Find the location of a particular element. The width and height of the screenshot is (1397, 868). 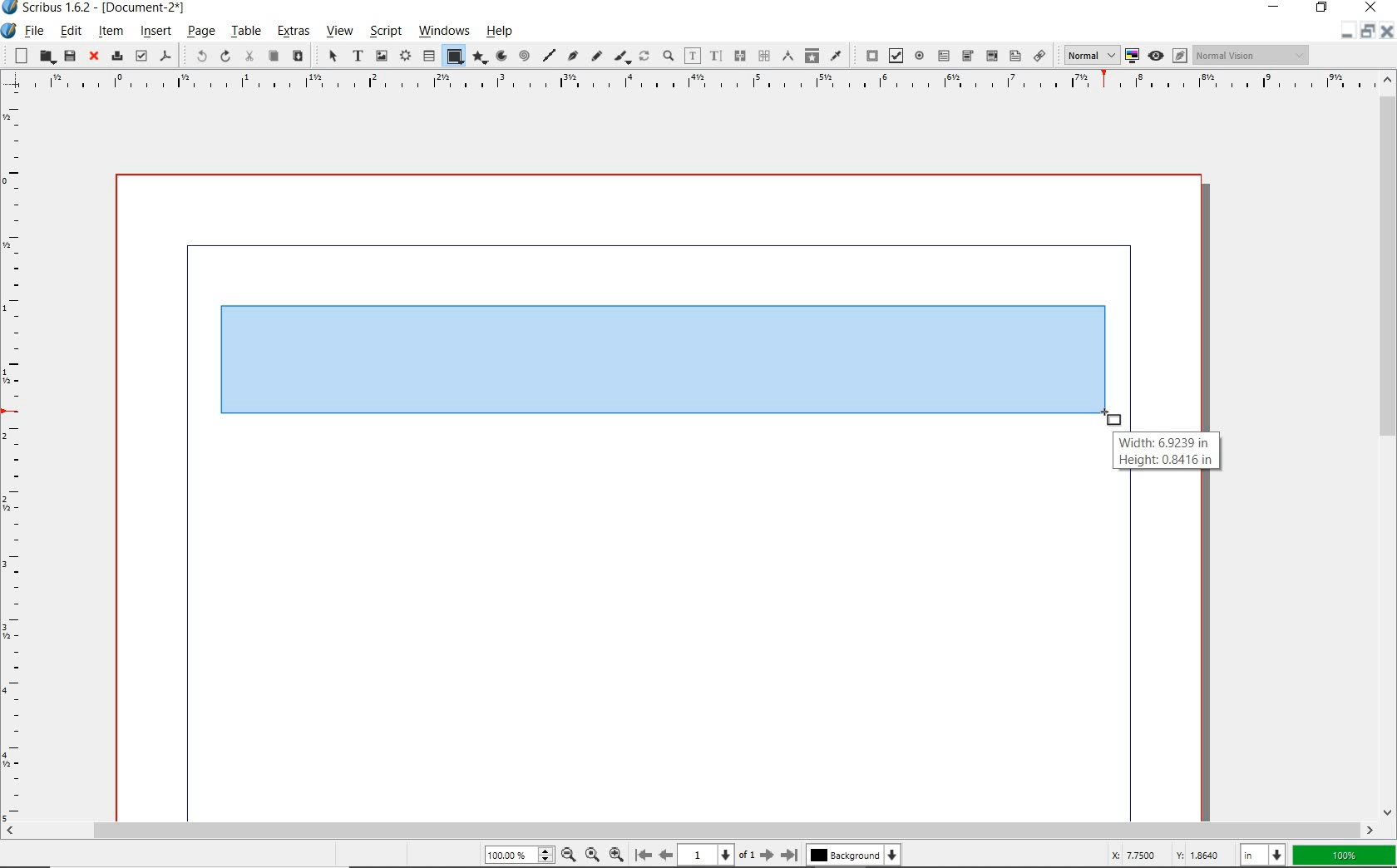

file is located at coordinates (35, 31).